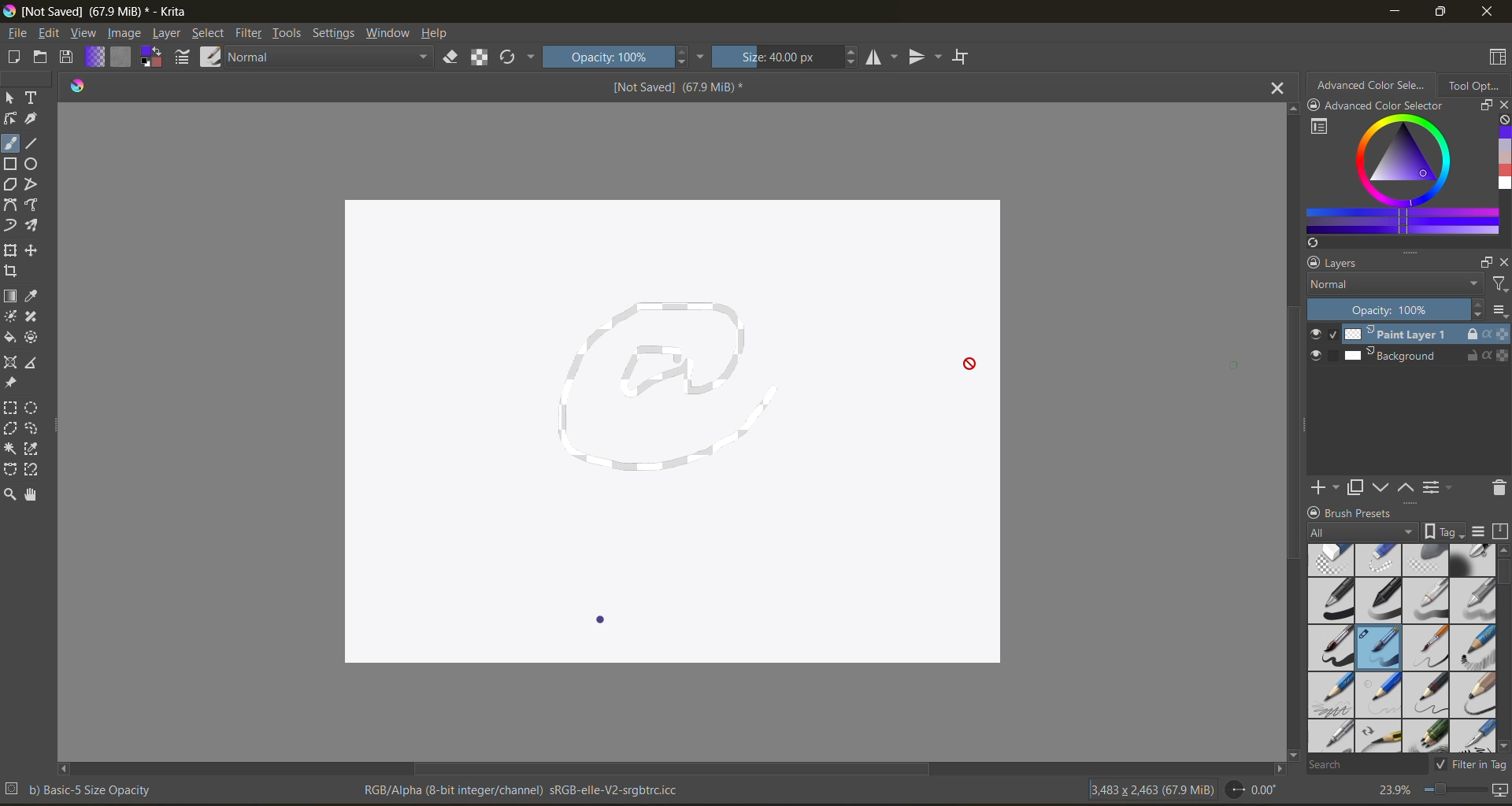 The width and height of the screenshot is (1512, 806). Describe the element at coordinates (33, 98) in the screenshot. I see `text` at that location.